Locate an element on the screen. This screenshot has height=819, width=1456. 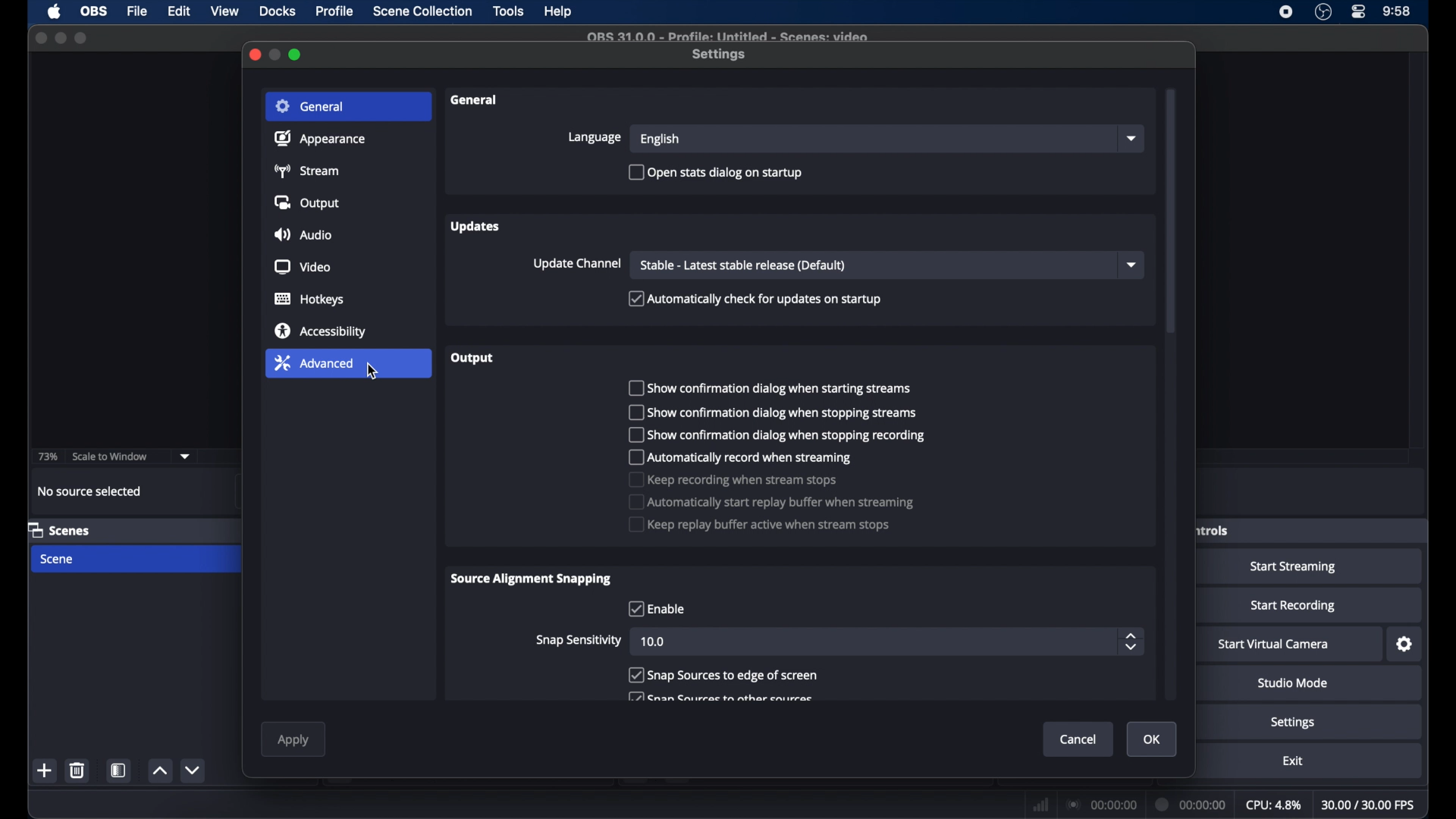
advanced is located at coordinates (314, 362).